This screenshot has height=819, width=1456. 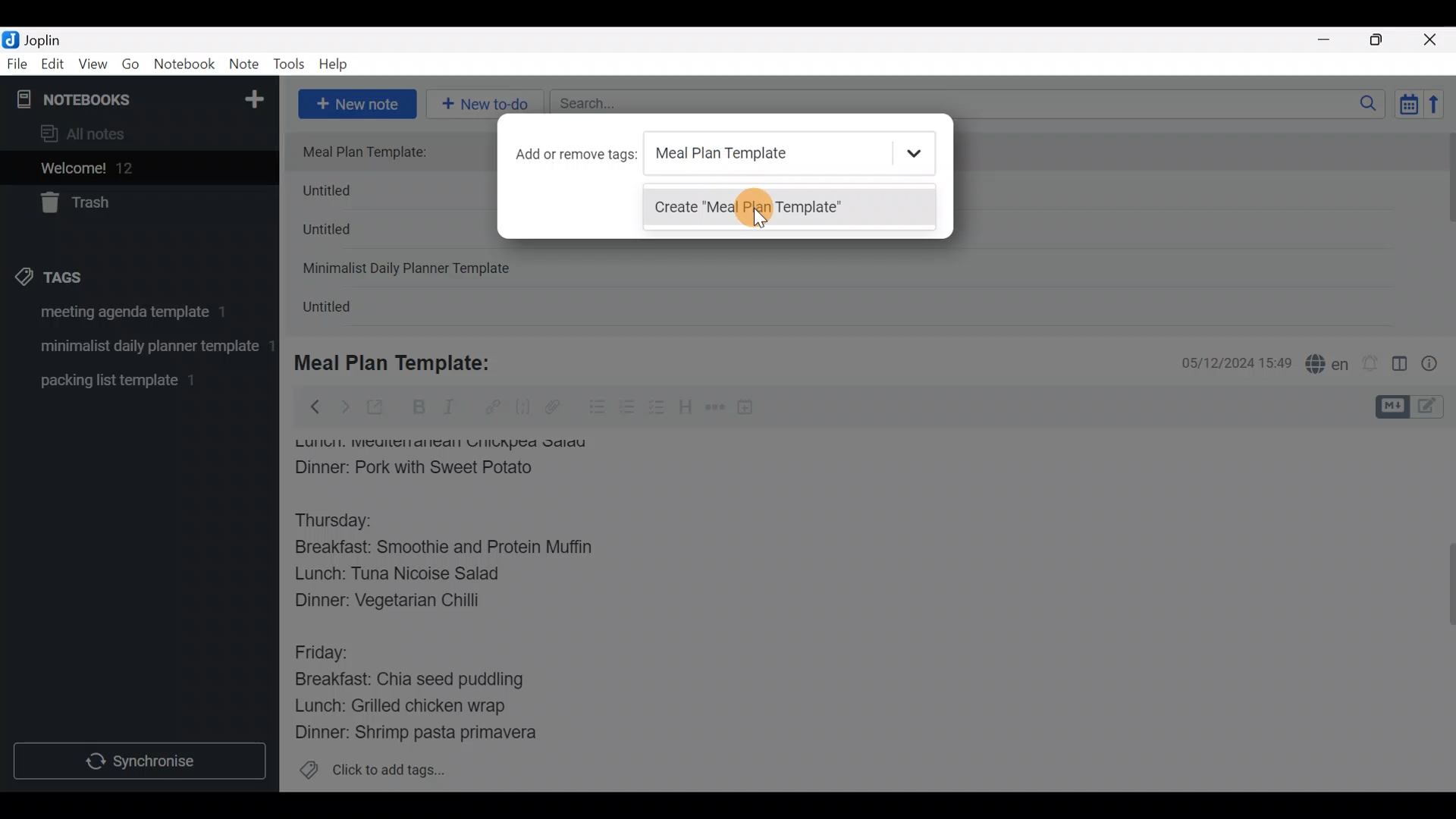 What do you see at coordinates (715, 409) in the screenshot?
I see `Horizontal rule` at bounding box center [715, 409].